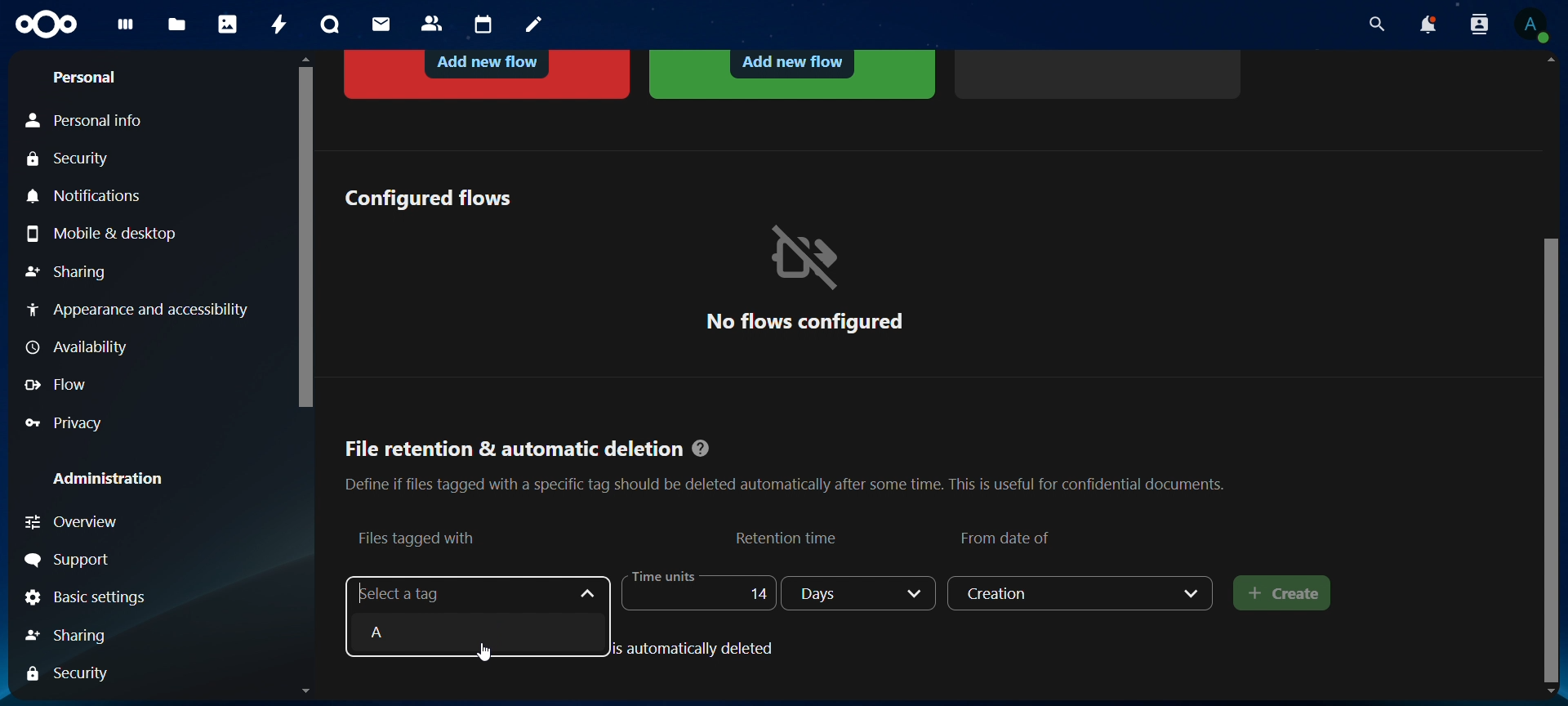 This screenshot has width=1568, height=706. I want to click on administration, so click(109, 478).